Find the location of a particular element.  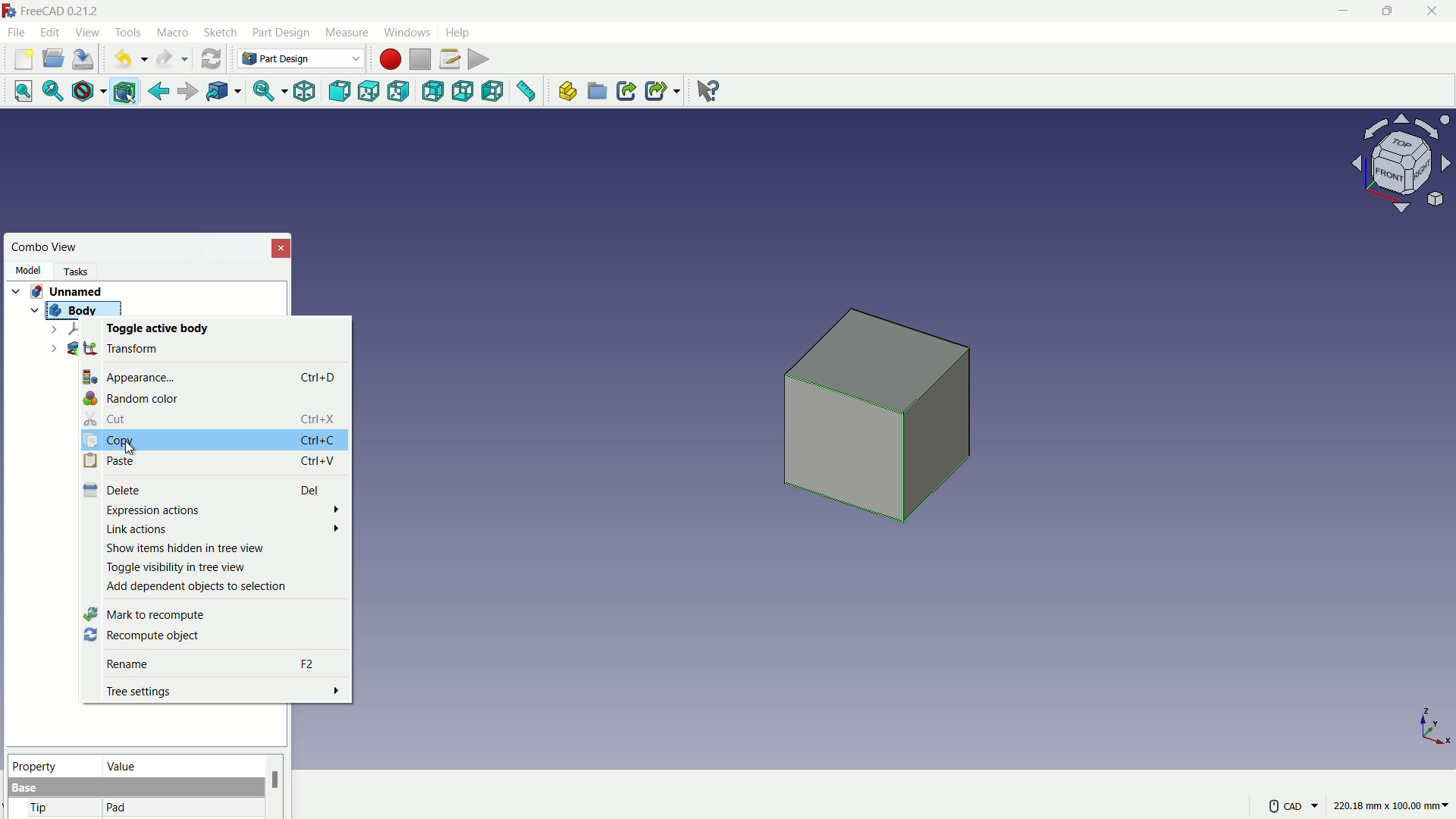

Appearance... Ctrl+D is located at coordinates (212, 375).